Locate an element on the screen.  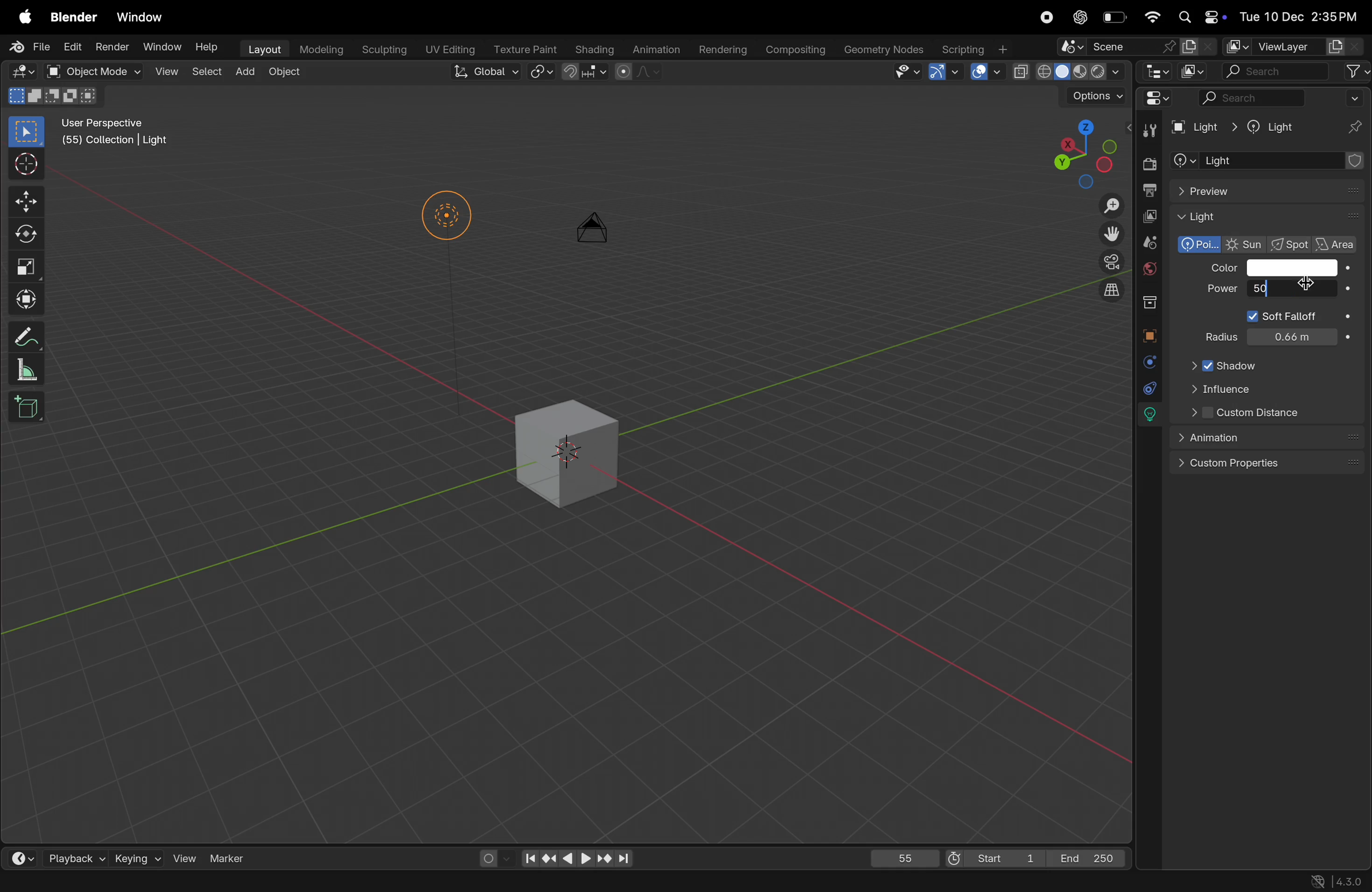
view port shading is located at coordinates (1073, 73).